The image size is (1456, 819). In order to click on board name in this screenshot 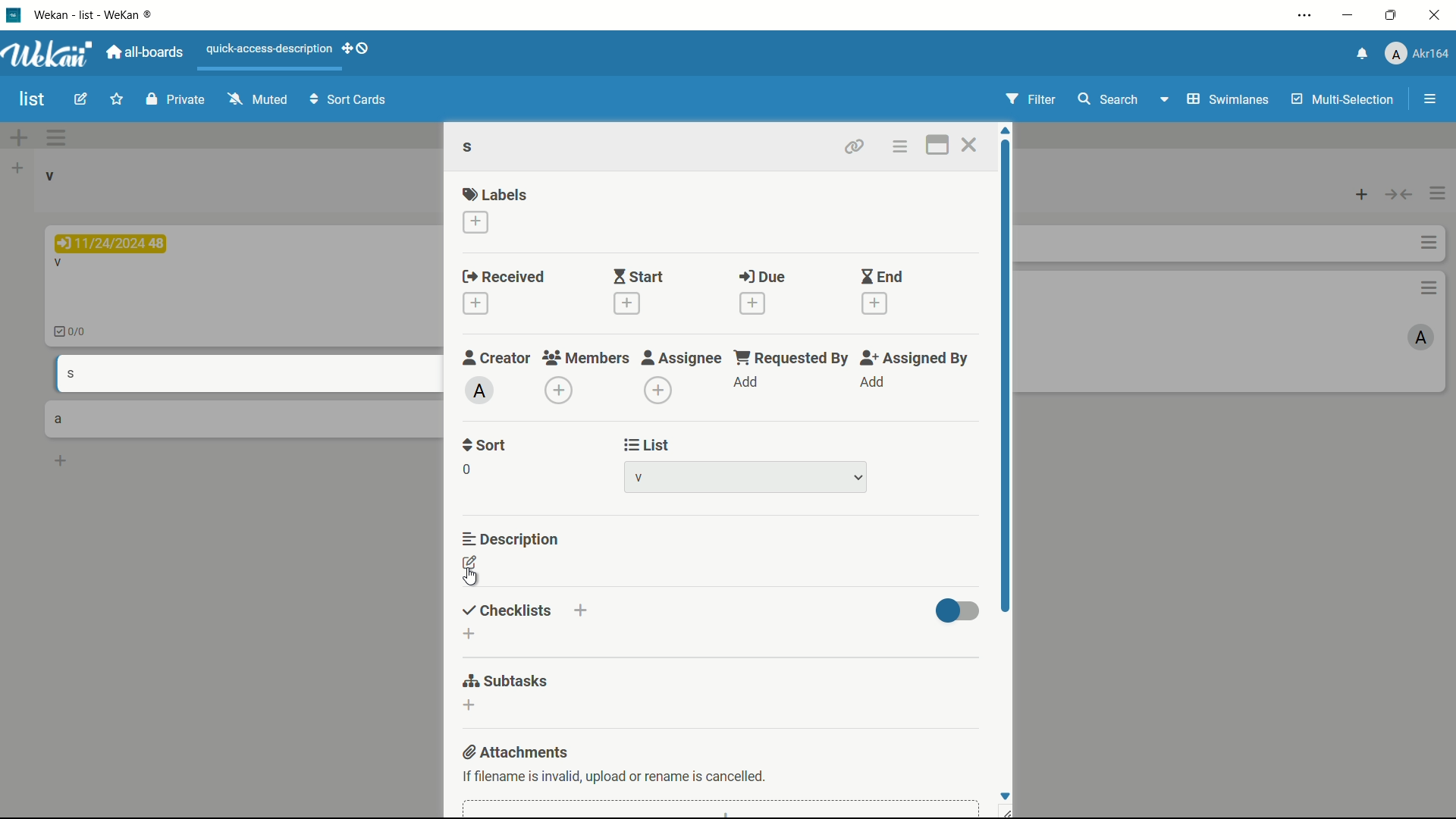, I will do `click(33, 100)`.